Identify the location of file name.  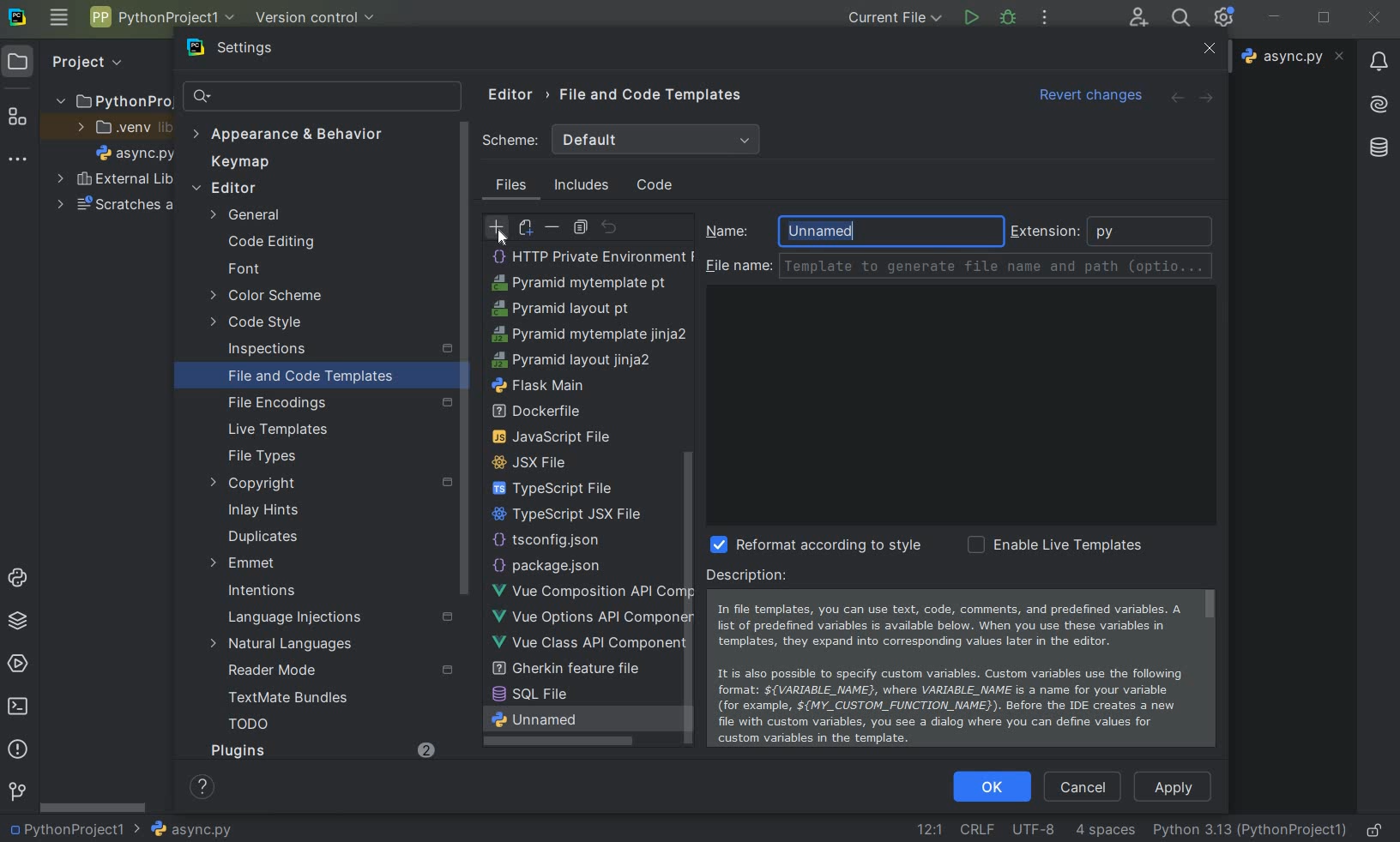
(962, 269).